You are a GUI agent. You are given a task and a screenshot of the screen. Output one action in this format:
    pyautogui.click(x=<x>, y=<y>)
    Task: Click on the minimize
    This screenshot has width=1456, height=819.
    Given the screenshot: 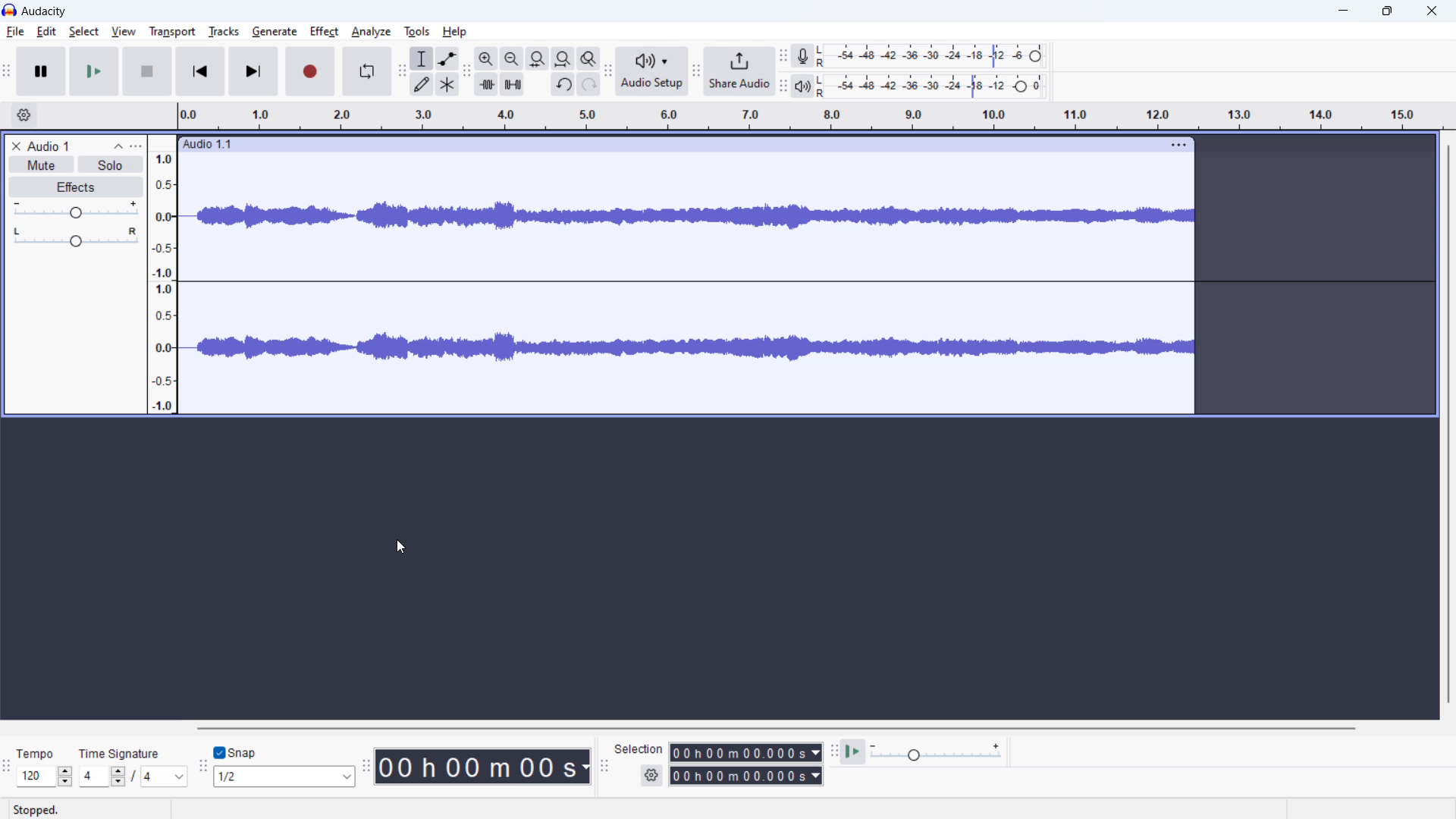 What is the action you would take?
    pyautogui.click(x=1341, y=11)
    